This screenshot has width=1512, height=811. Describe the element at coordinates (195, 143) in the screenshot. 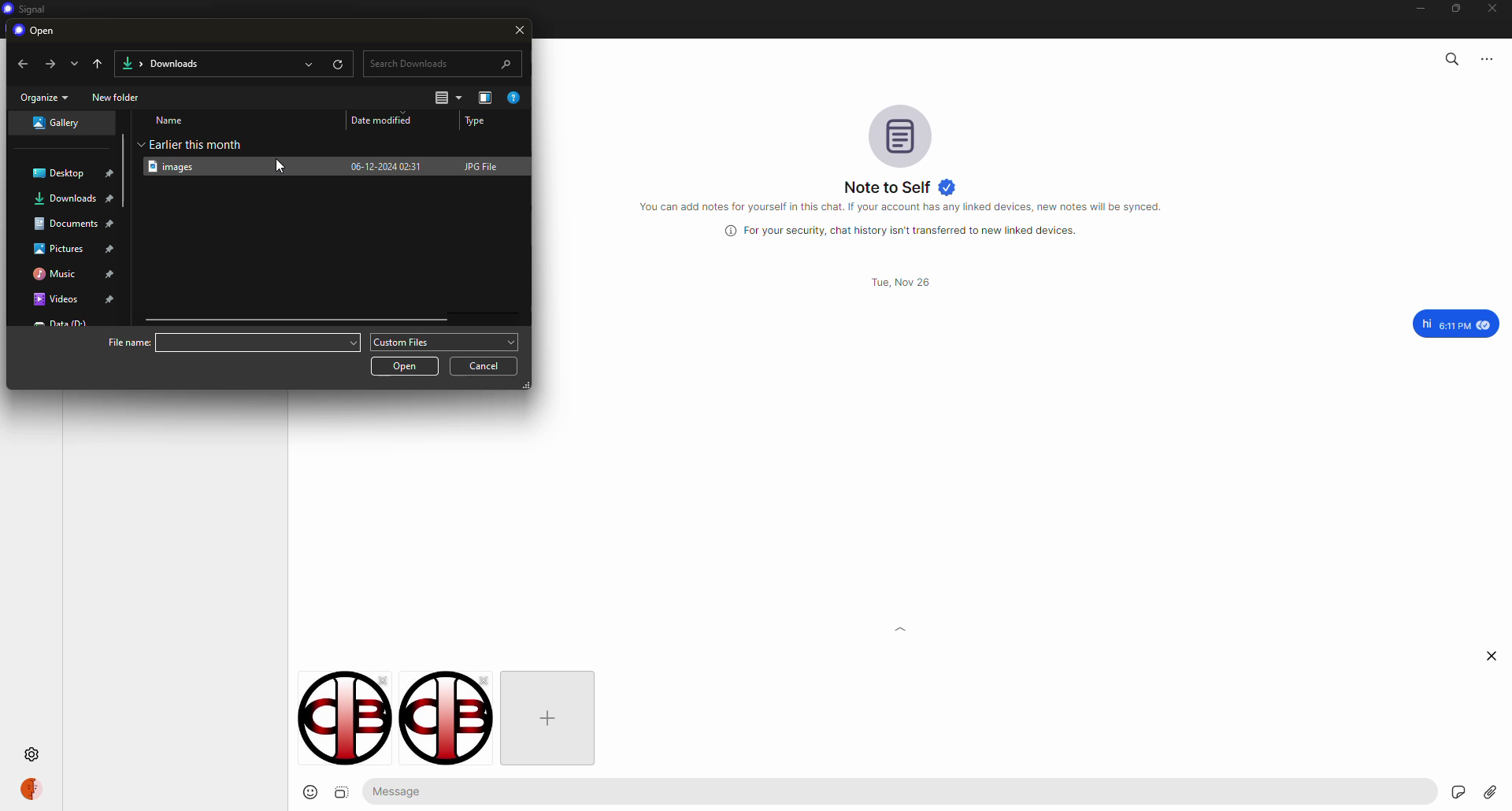

I see `earlier` at that location.